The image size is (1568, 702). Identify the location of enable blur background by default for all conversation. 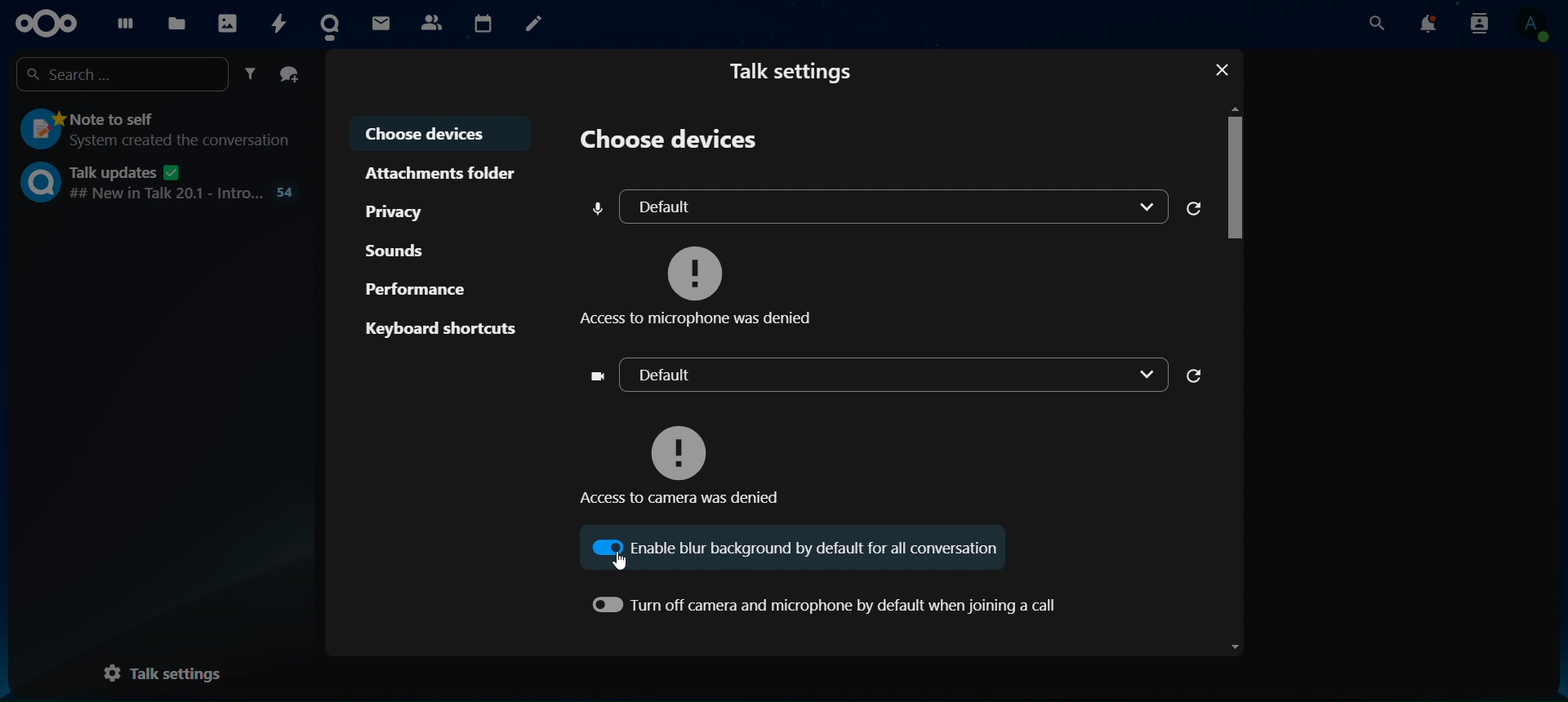
(804, 548).